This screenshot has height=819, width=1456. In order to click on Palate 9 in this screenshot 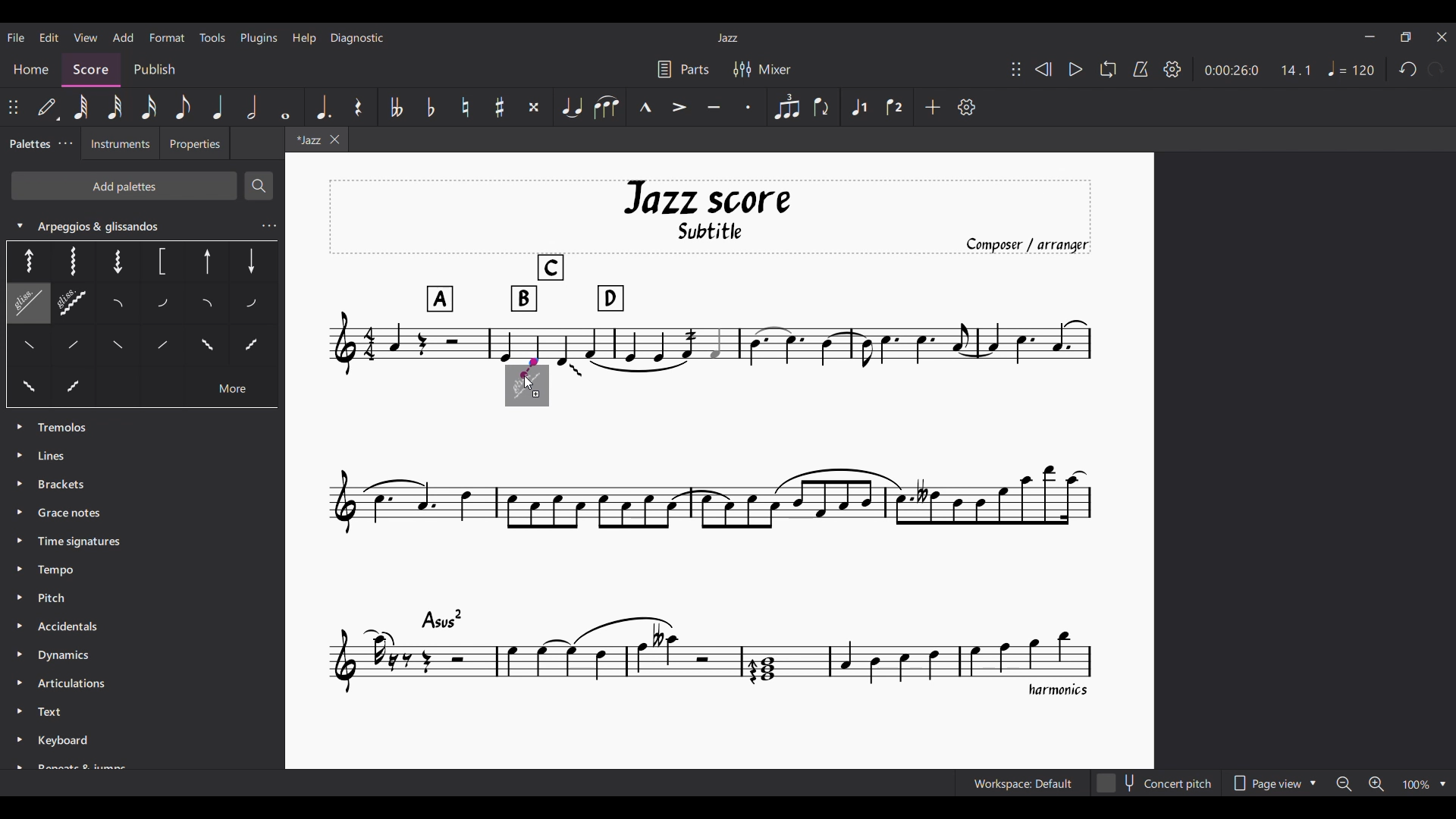, I will do `click(123, 305)`.